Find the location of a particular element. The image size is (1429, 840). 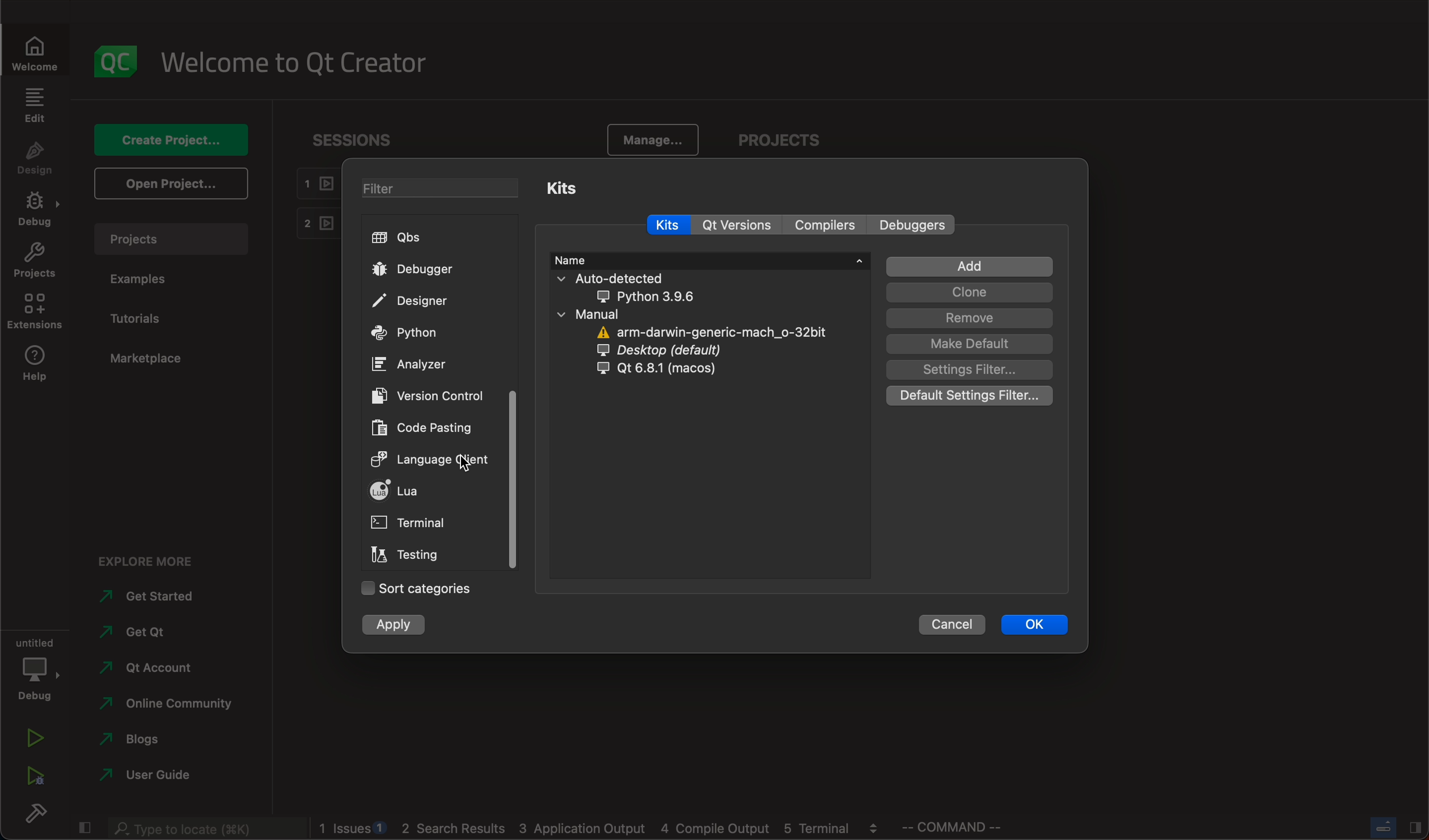

qbs is located at coordinates (412, 239).